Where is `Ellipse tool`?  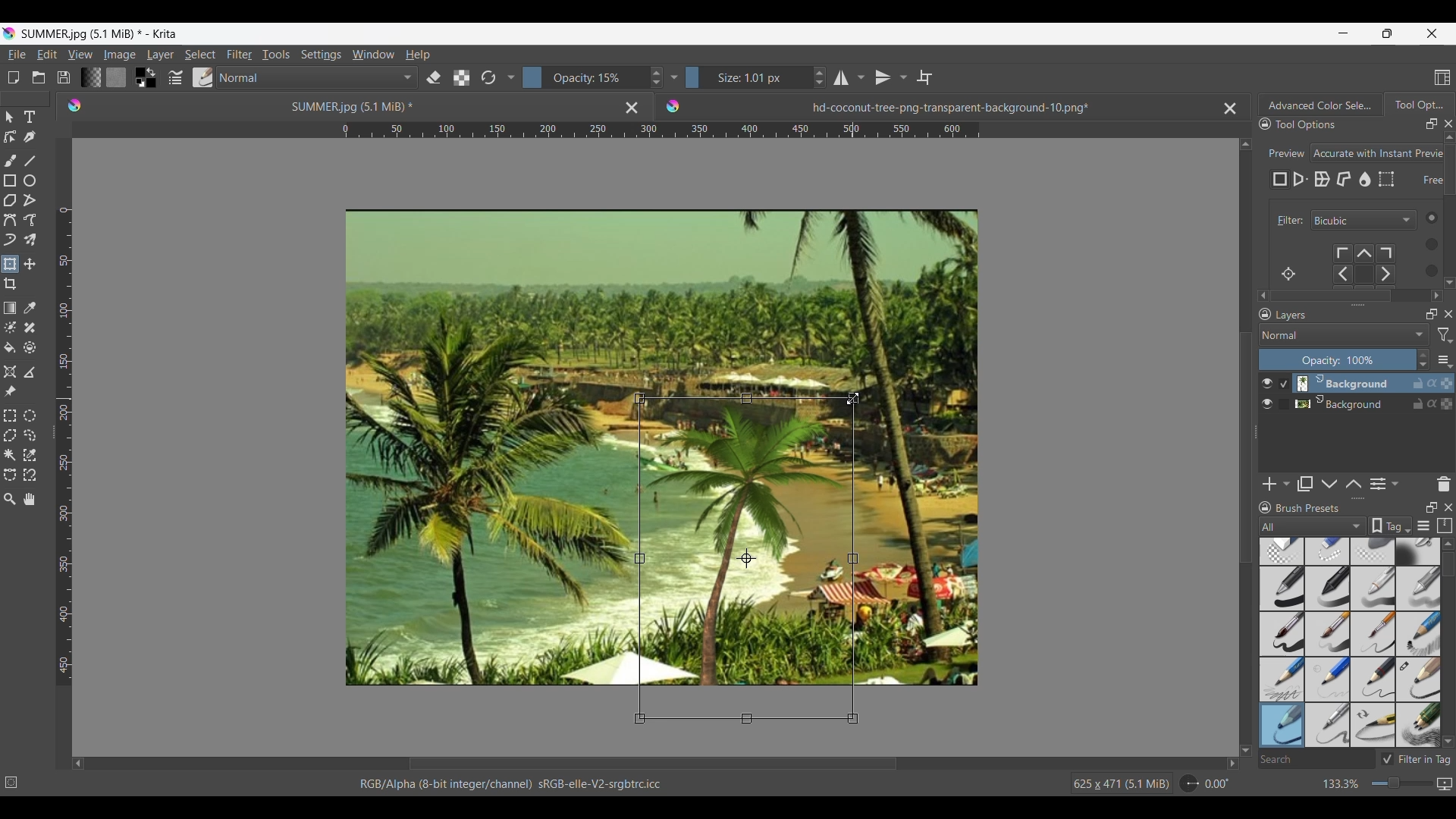
Ellipse tool is located at coordinates (29, 180).